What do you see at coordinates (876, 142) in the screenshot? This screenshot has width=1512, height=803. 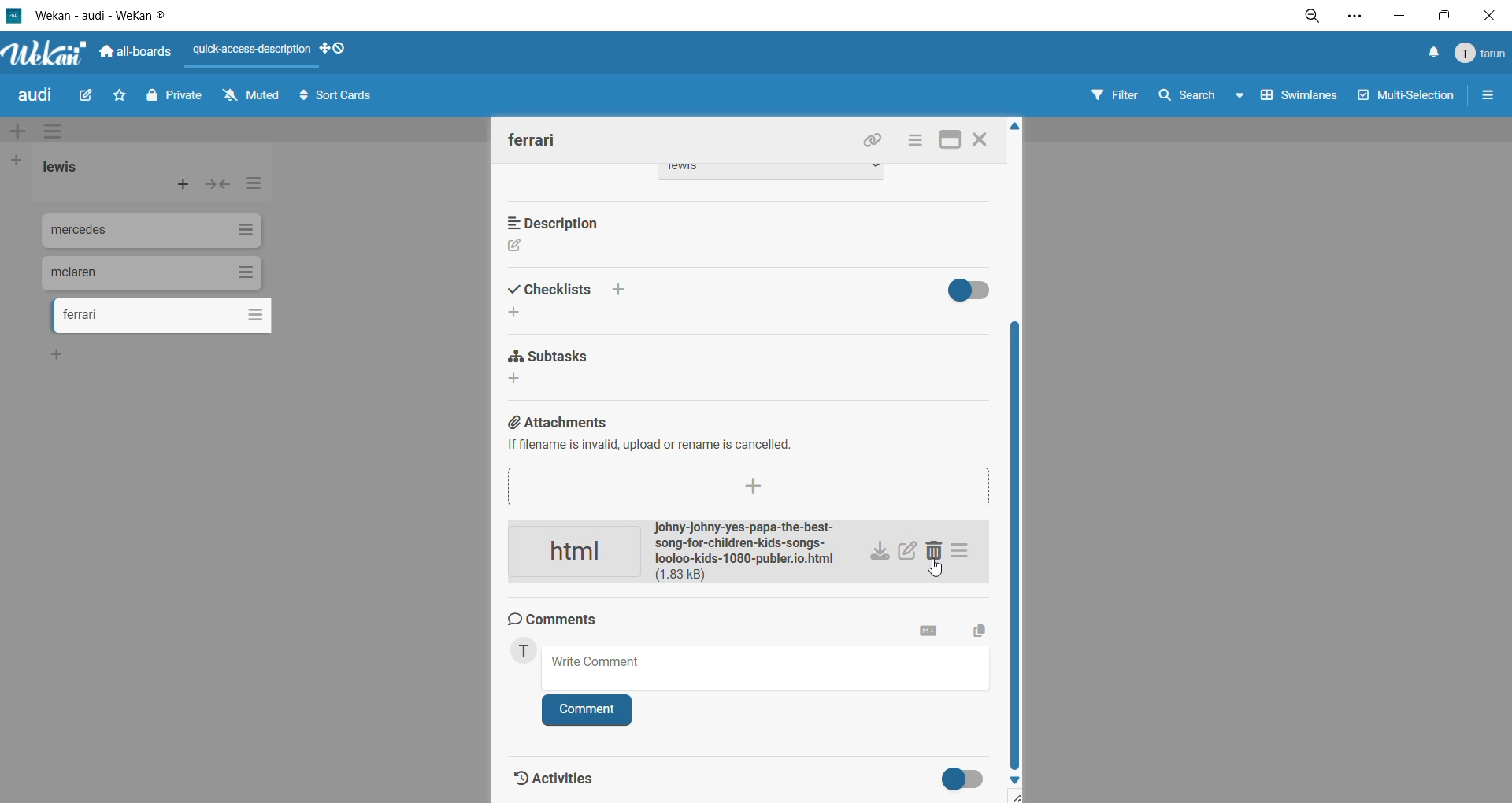 I see `copy link` at bounding box center [876, 142].